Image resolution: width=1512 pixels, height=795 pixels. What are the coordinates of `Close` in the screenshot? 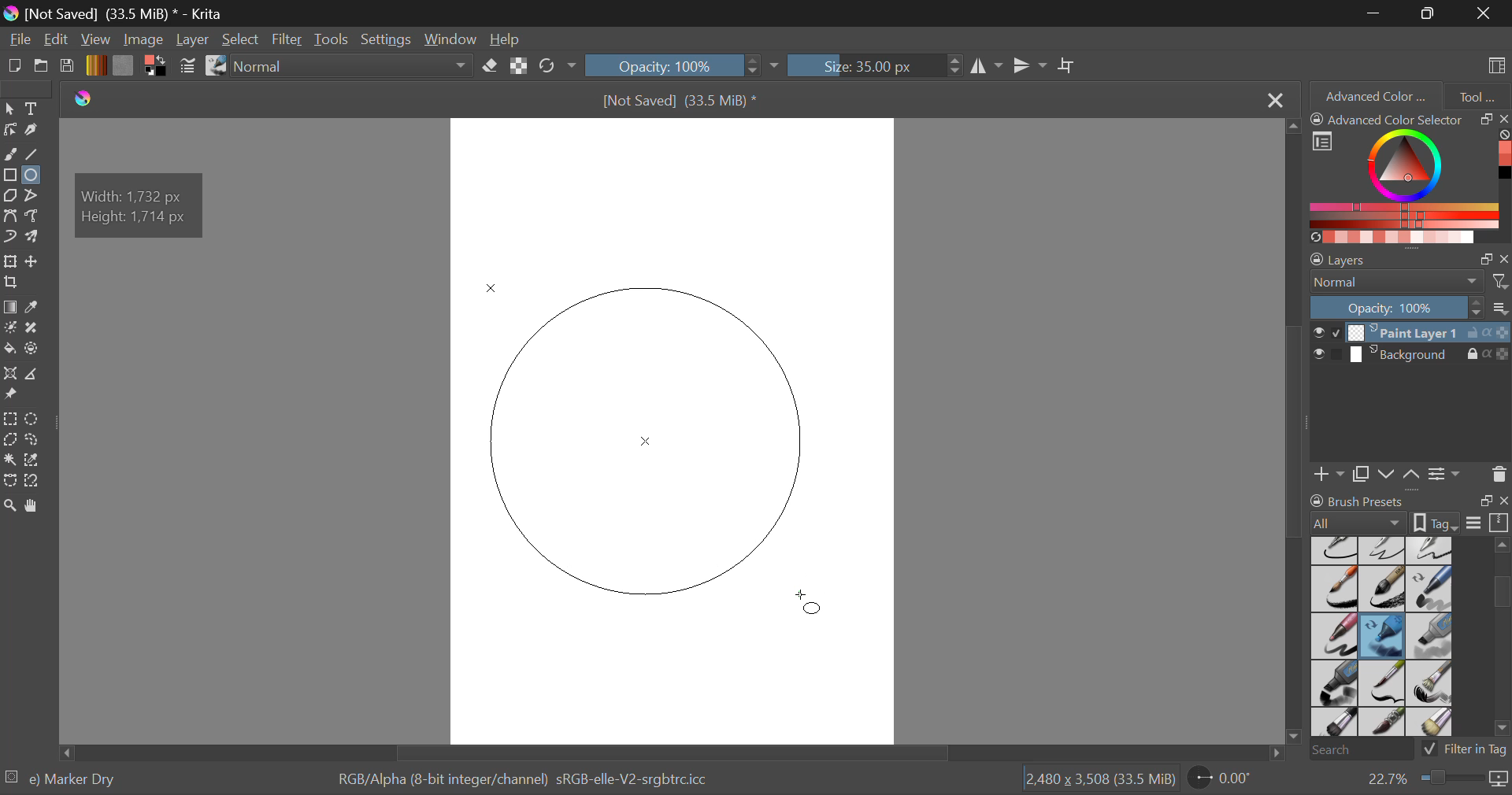 It's located at (1484, 13).